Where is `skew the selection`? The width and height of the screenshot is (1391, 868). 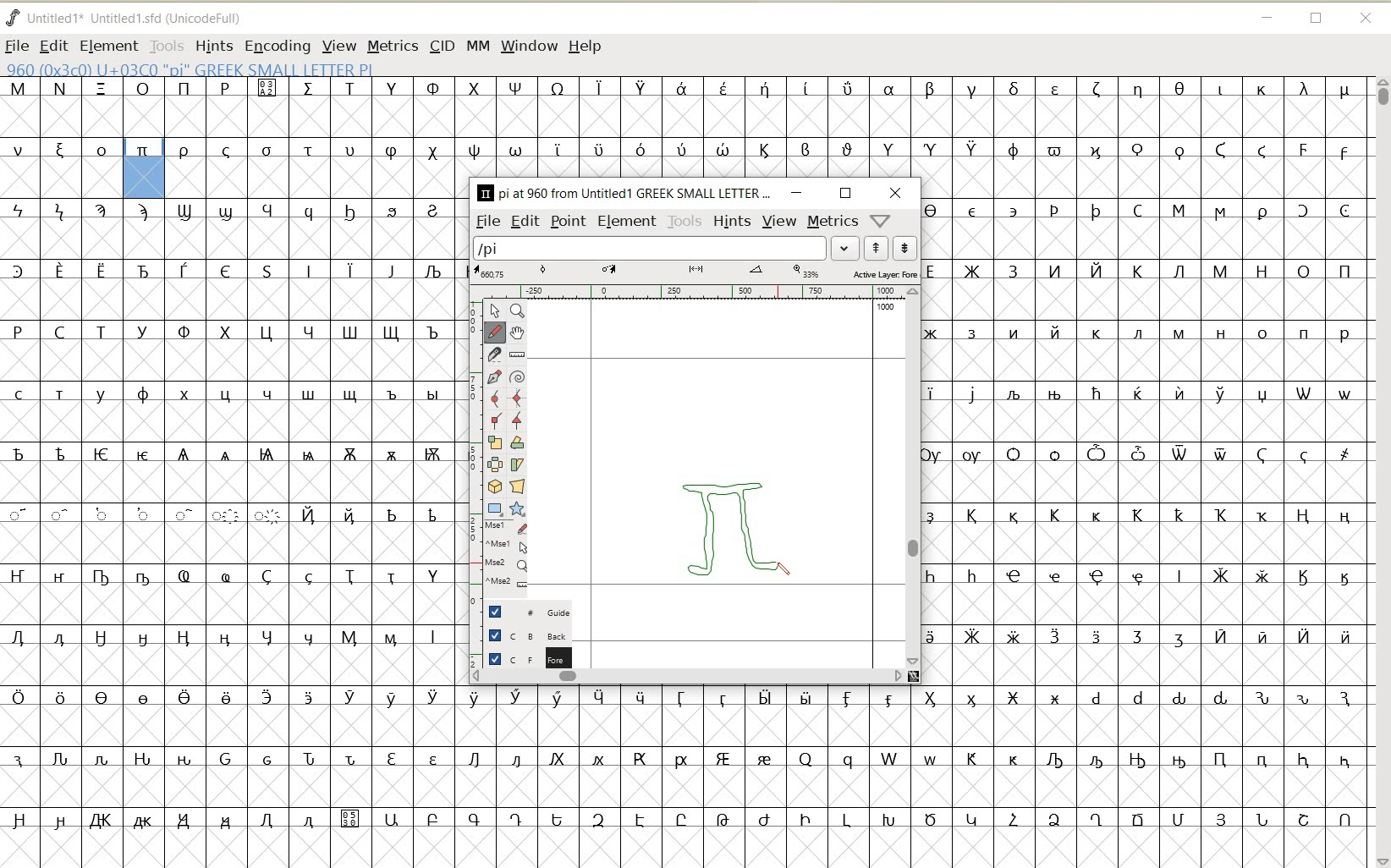 skew the selection is located at coordinates (518, 464).